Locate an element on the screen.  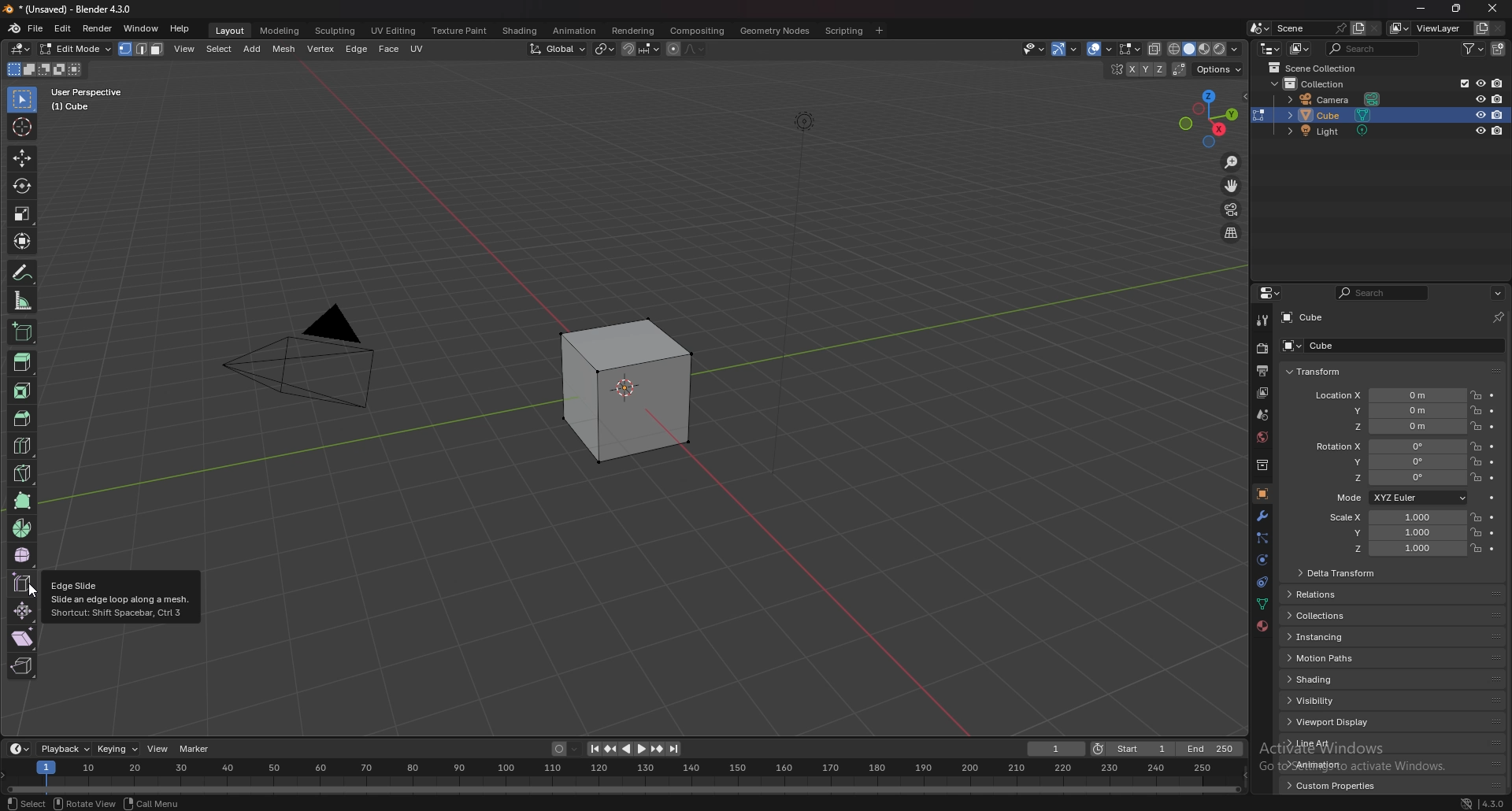
bevel is located at coordinates (20, 418).